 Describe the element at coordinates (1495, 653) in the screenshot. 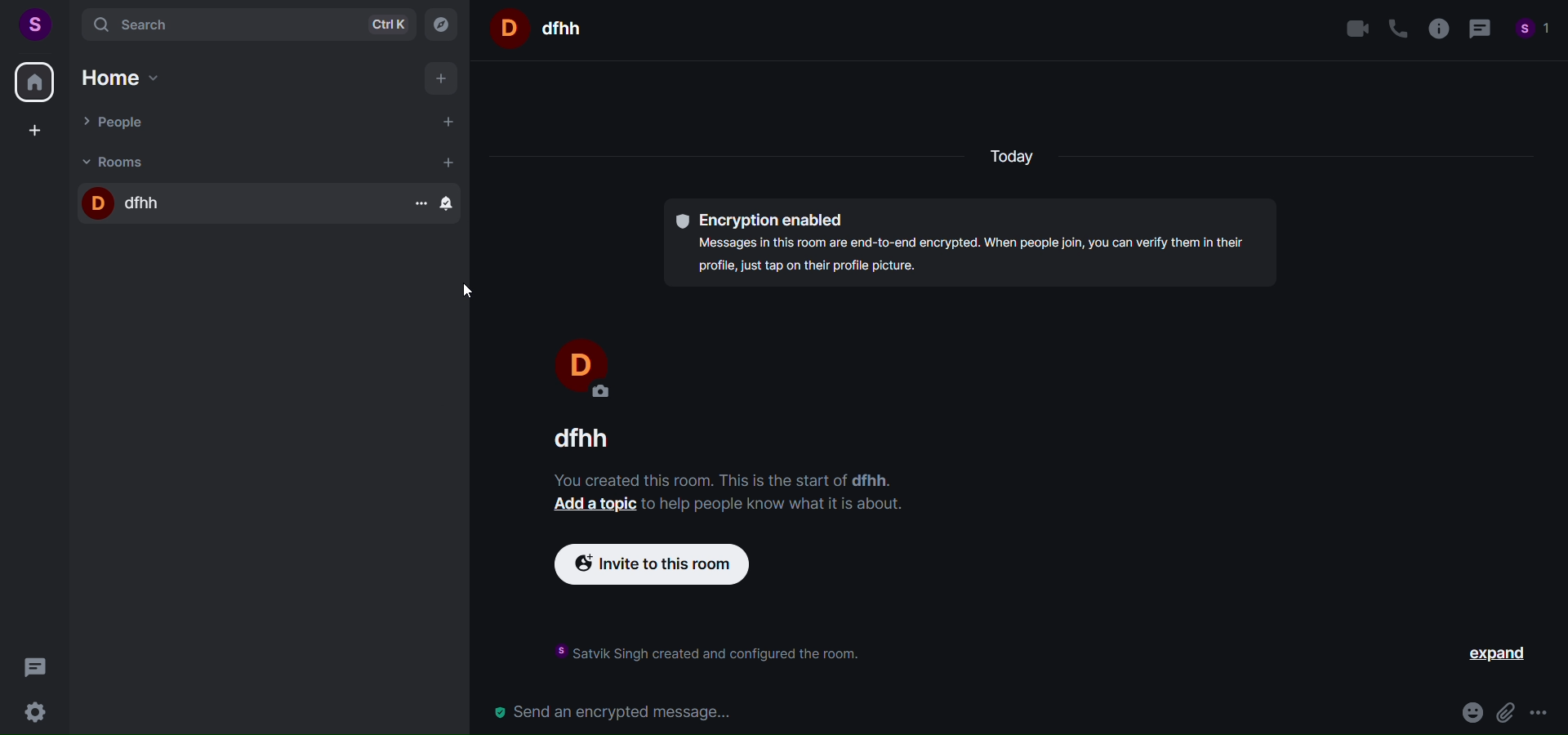

I see `expand` at that location.